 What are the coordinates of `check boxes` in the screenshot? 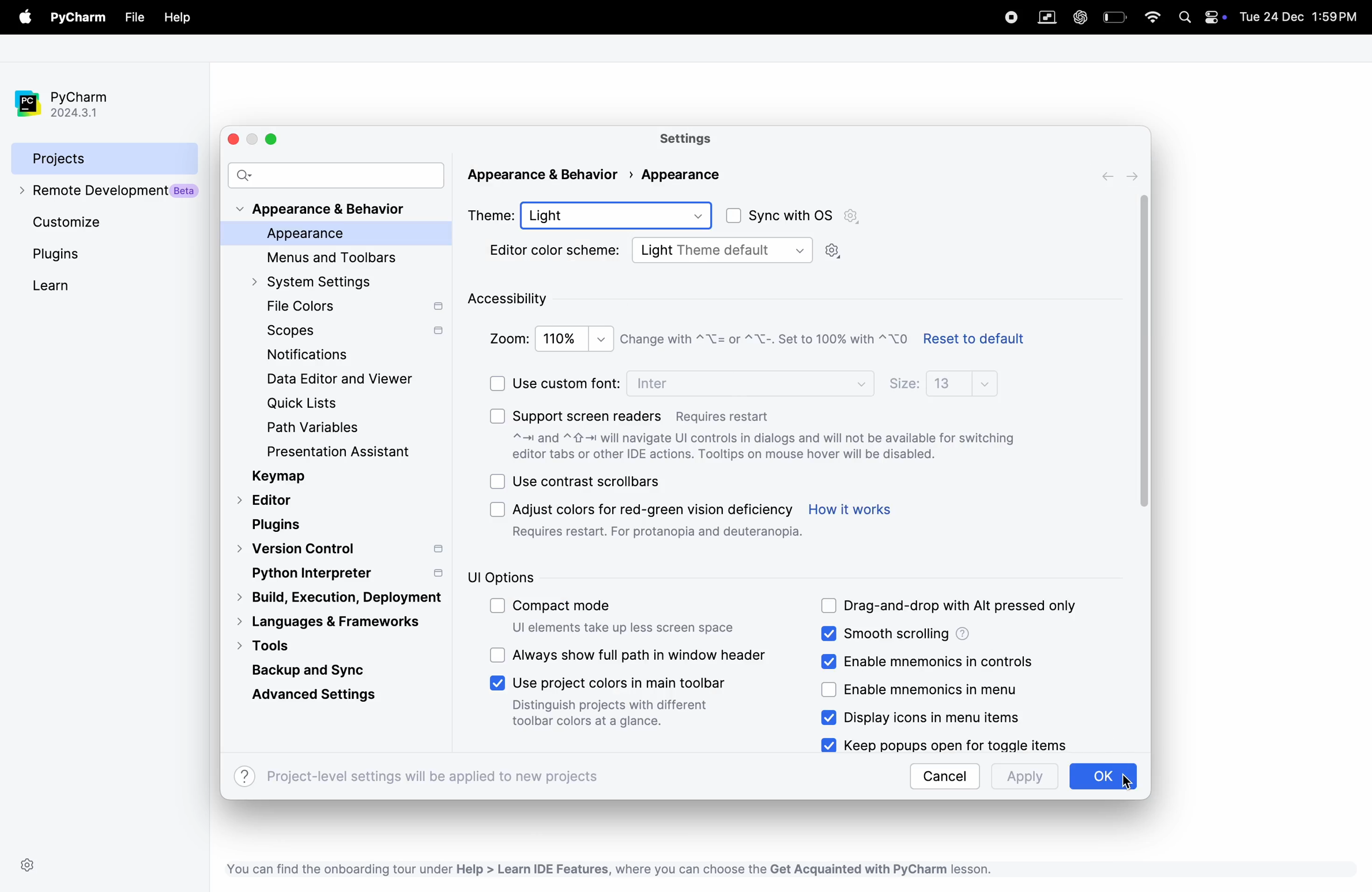 It's located at (827, 635).